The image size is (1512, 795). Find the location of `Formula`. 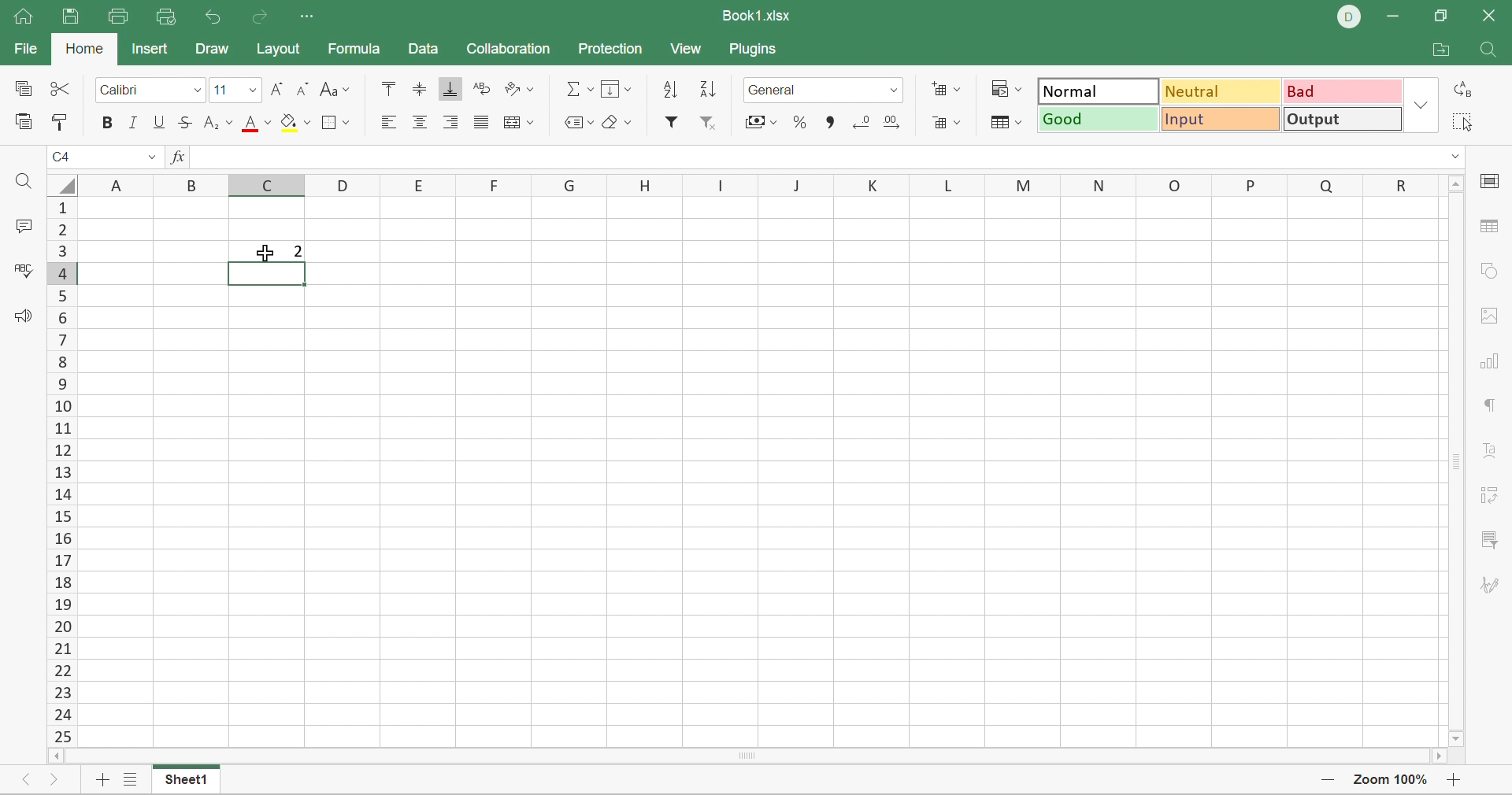

Formula is located at coordinates (361, 51).